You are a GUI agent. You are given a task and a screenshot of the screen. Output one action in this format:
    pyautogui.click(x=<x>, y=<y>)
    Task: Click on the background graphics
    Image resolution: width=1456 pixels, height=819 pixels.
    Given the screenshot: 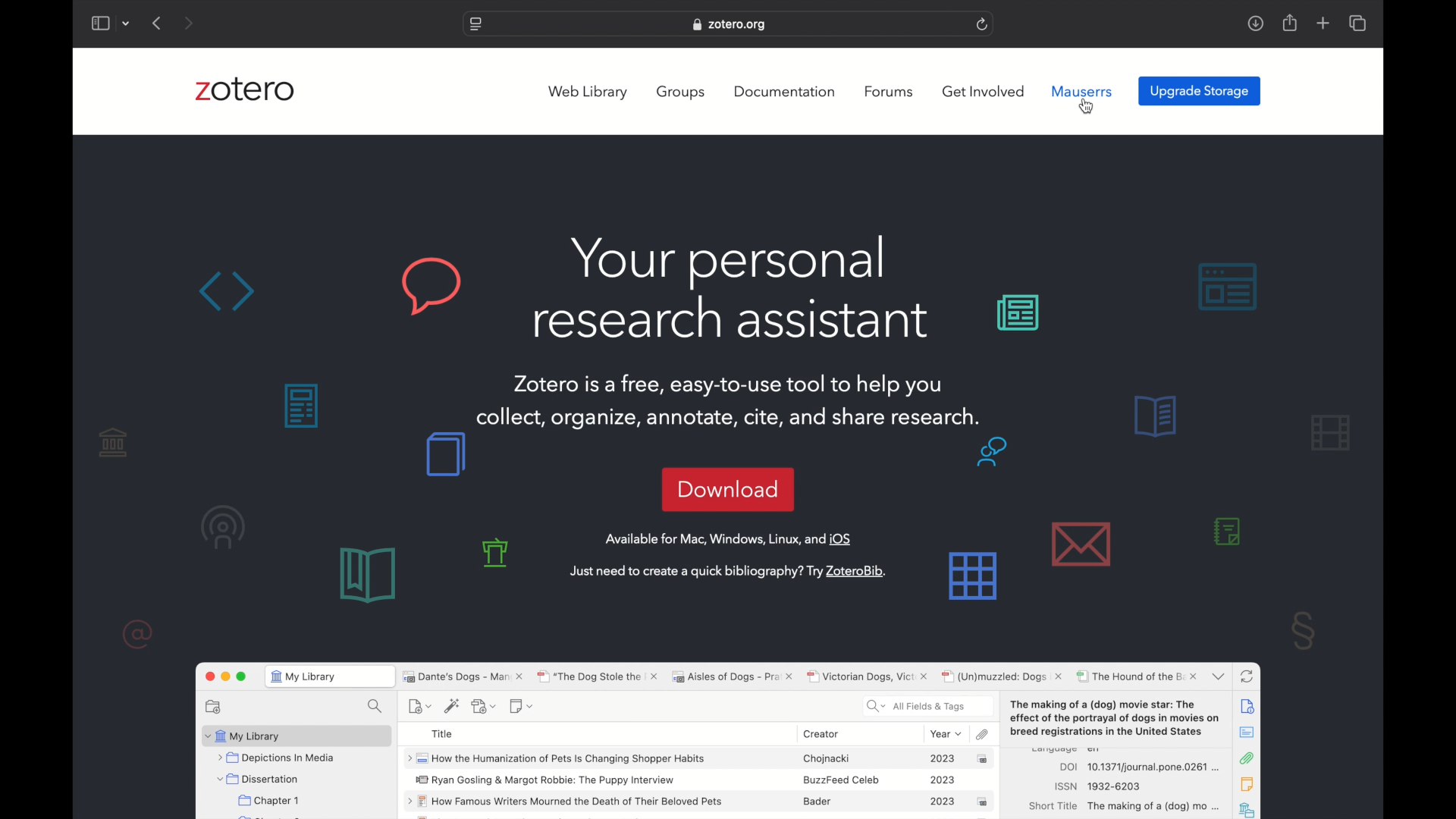 What is the action you would take?
    pyautogui.click(x=1028, y=519)
    